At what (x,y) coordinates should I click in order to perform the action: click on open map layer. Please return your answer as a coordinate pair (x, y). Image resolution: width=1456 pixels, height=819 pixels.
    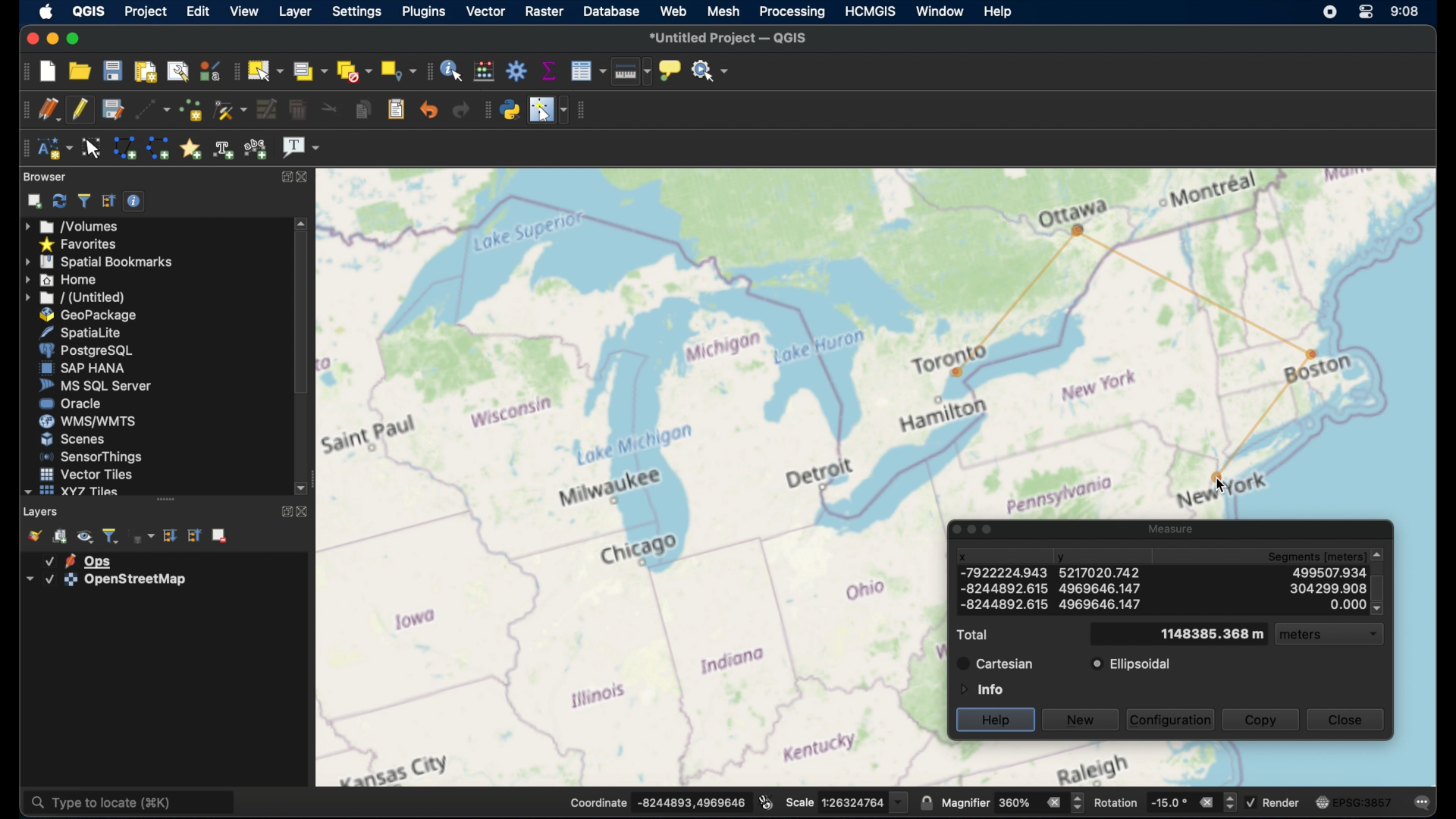
    Looking at the image, I should click on (31, 535).